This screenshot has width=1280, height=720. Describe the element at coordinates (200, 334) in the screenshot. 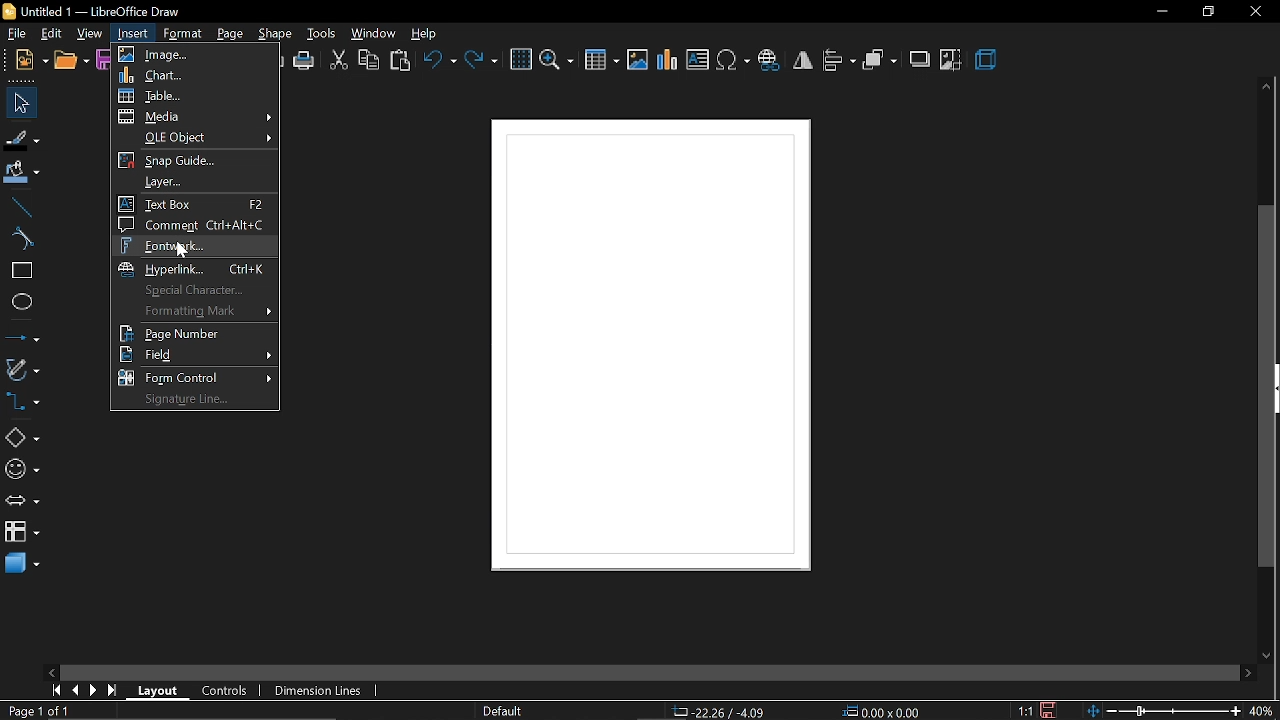

I see `page number` at that location.